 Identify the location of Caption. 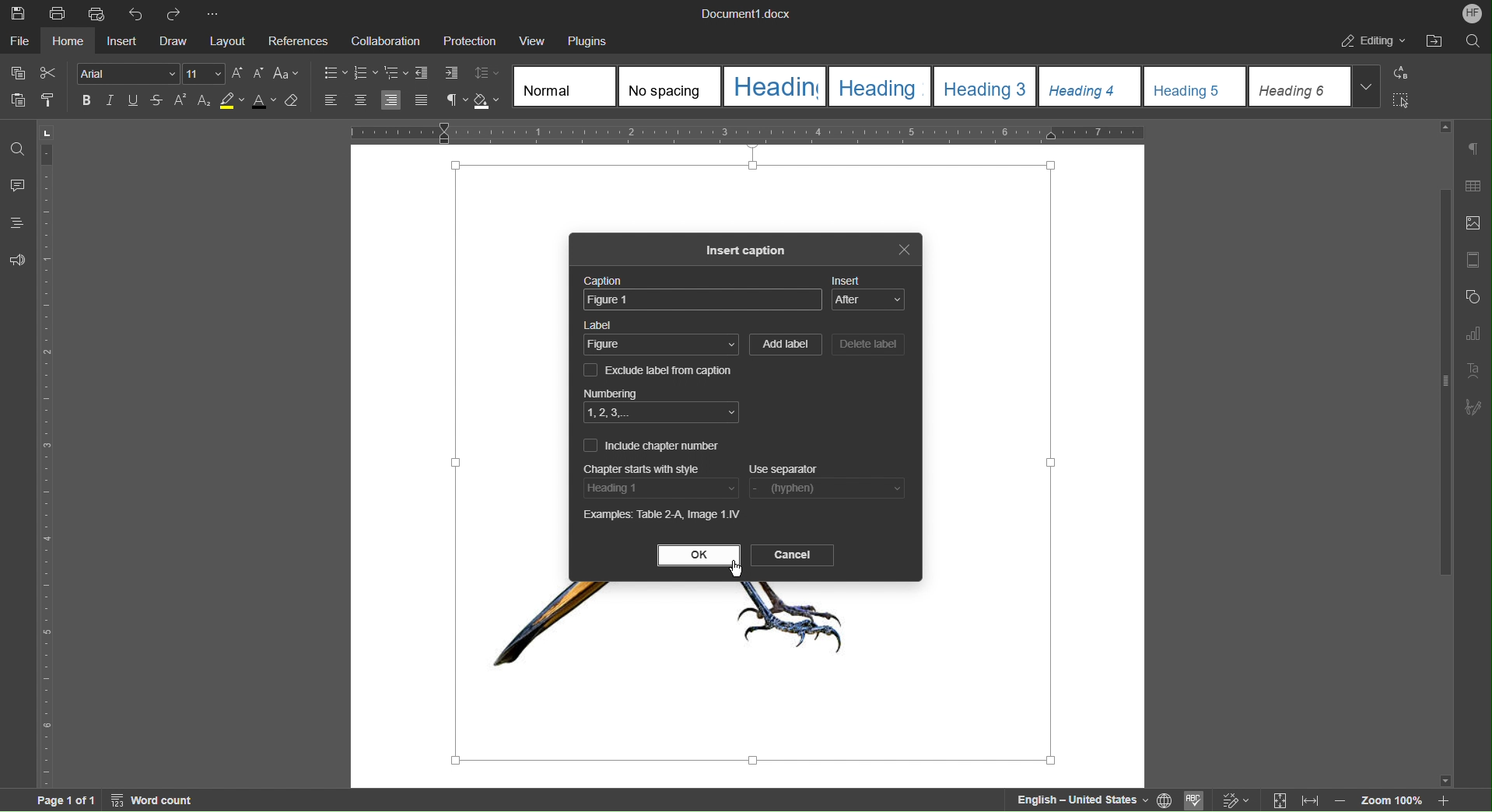
(601, 281).